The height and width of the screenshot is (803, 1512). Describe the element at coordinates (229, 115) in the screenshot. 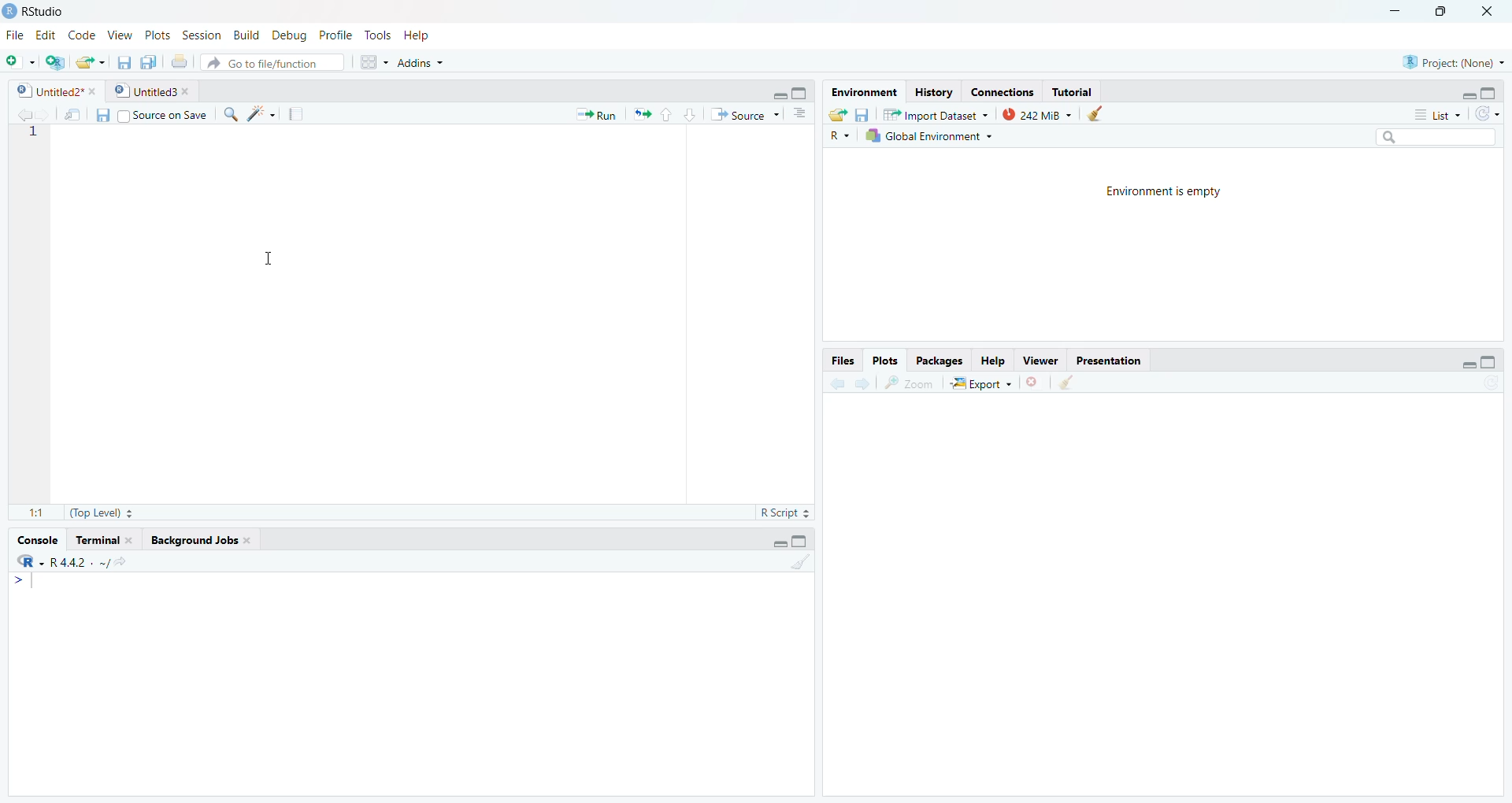

I see `search` at that location.